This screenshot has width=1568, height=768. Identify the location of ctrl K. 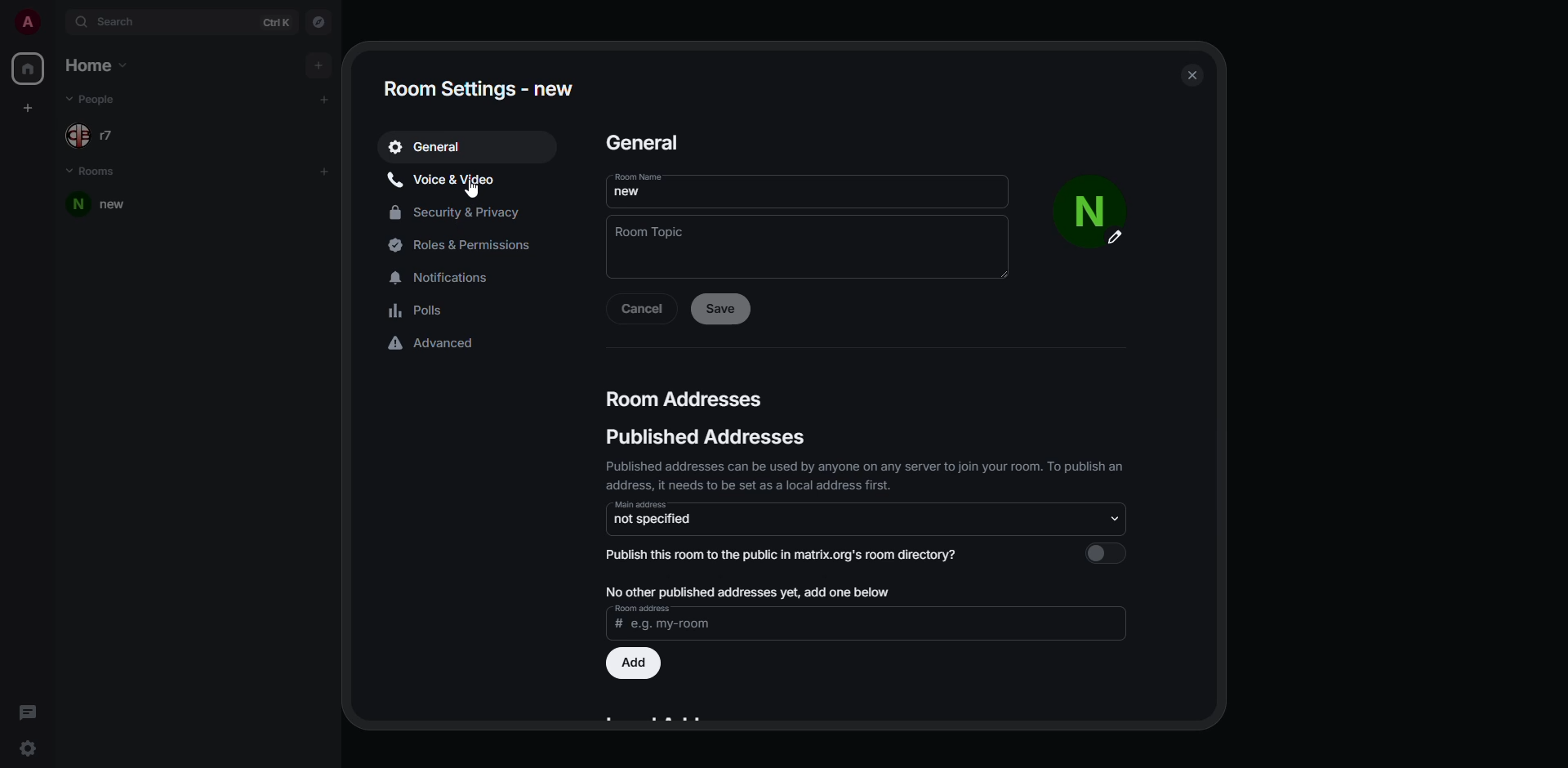
(277, 22).